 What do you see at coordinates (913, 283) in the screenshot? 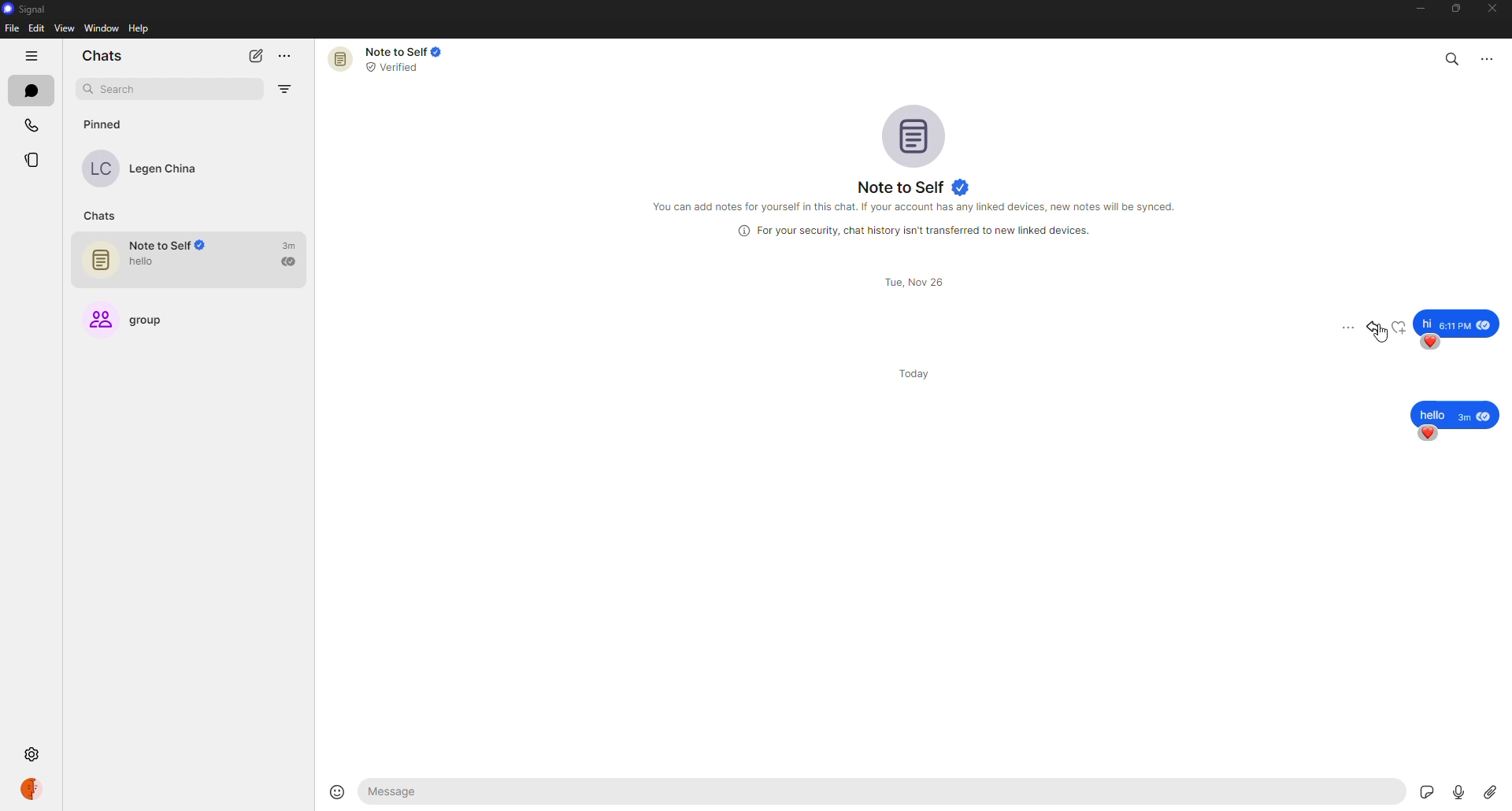
I see `day` at bounding box center [913, 283].